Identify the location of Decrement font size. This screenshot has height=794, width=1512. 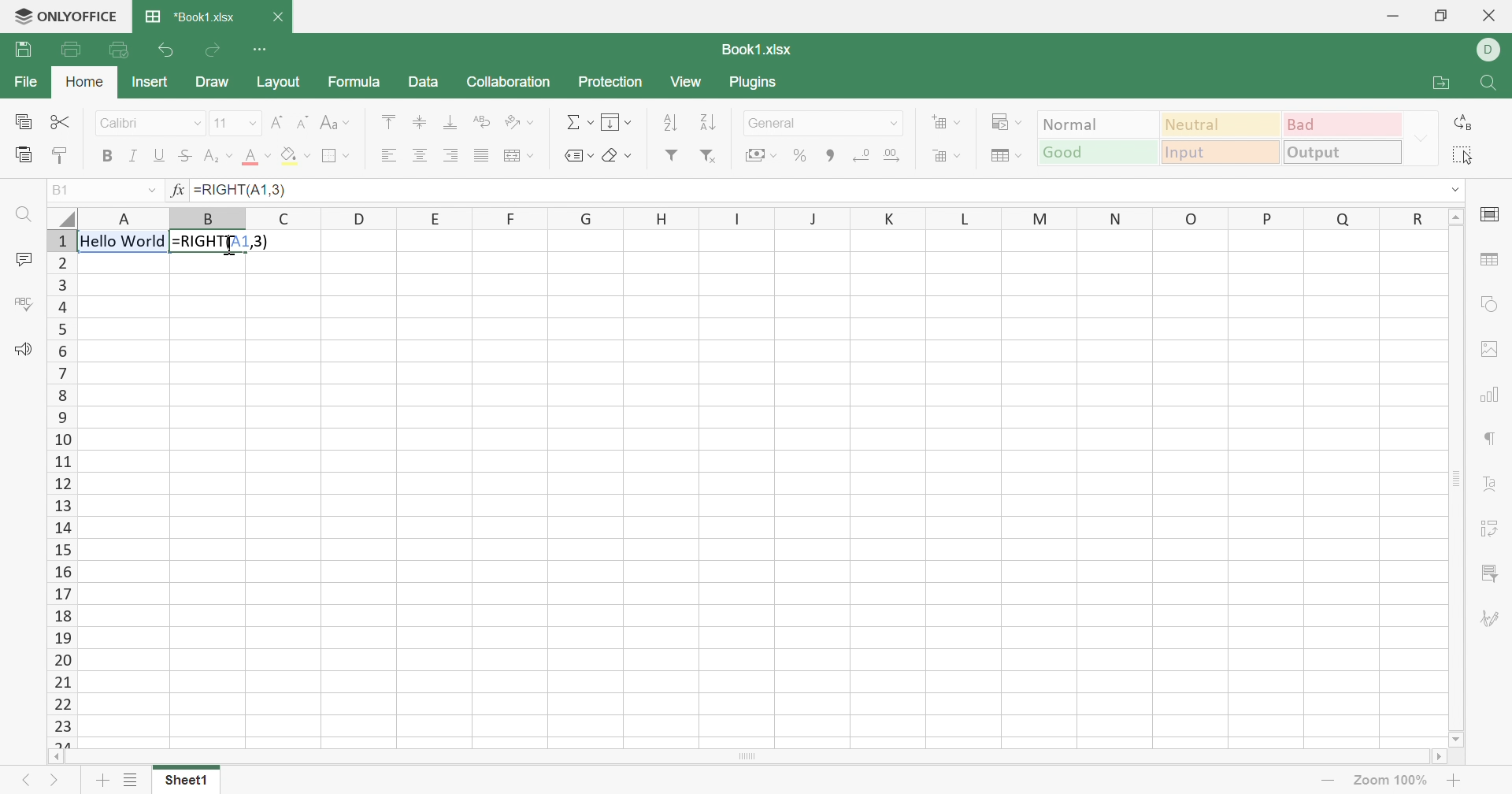
(303, 121).